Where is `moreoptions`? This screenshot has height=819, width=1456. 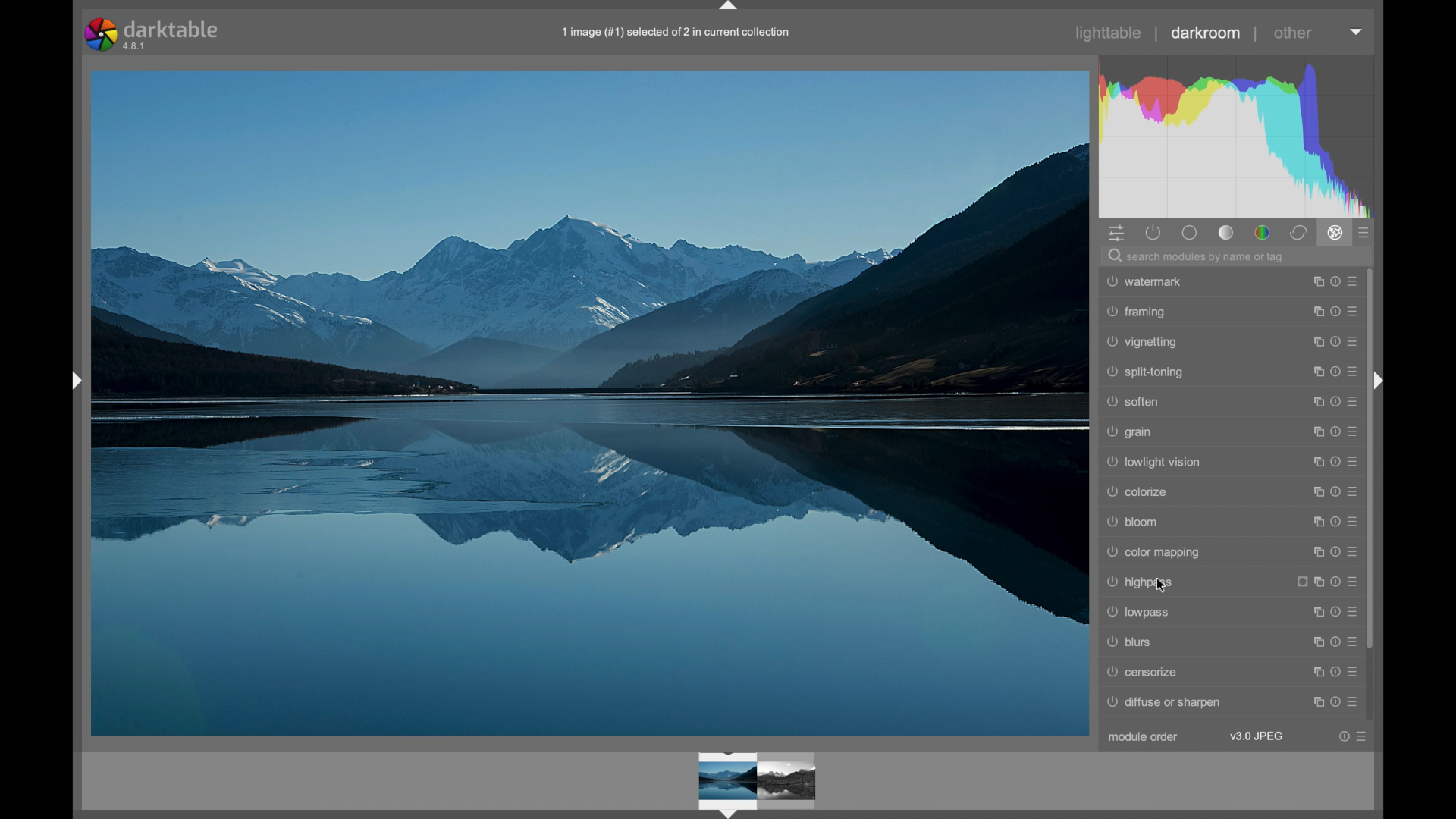
moreoptions is located at coordinates (1335, 491).